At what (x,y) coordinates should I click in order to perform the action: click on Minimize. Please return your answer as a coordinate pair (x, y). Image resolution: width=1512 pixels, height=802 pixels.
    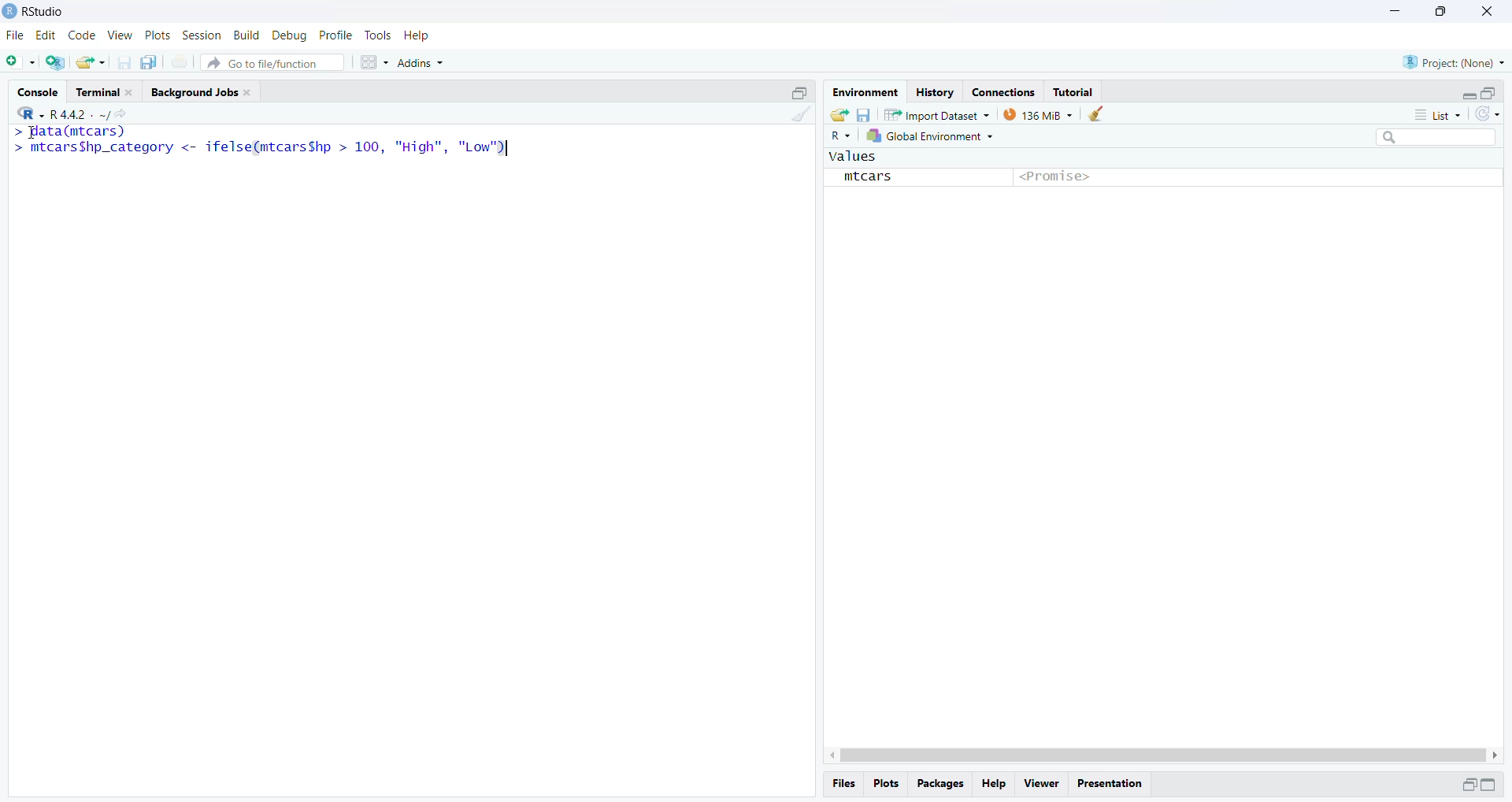
    Looking at the image, I should click on (1395, 12).